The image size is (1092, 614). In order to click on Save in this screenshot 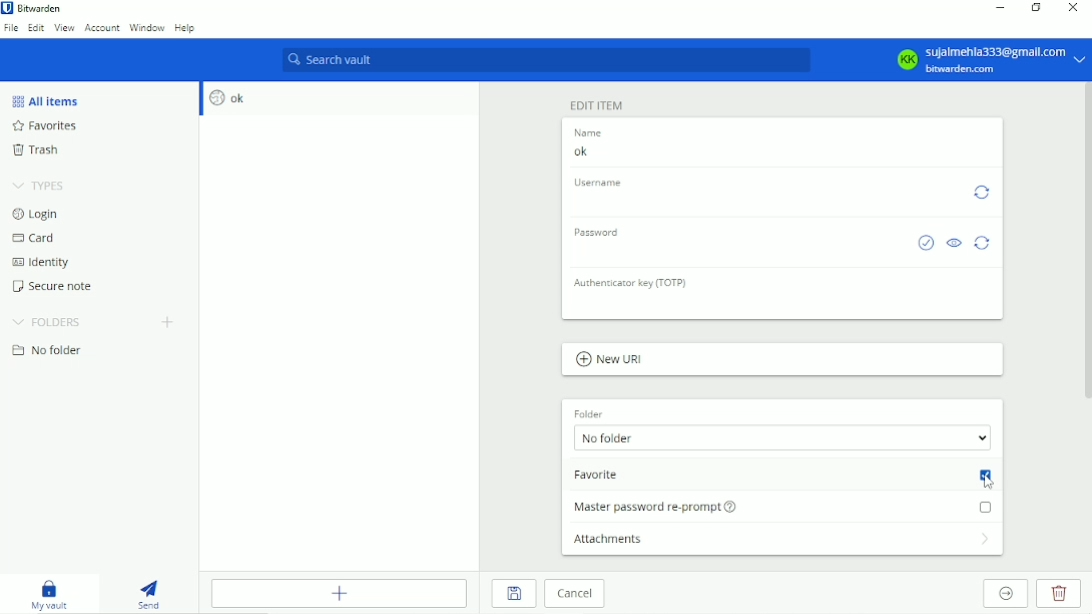, I will do `click(513, 594)`.